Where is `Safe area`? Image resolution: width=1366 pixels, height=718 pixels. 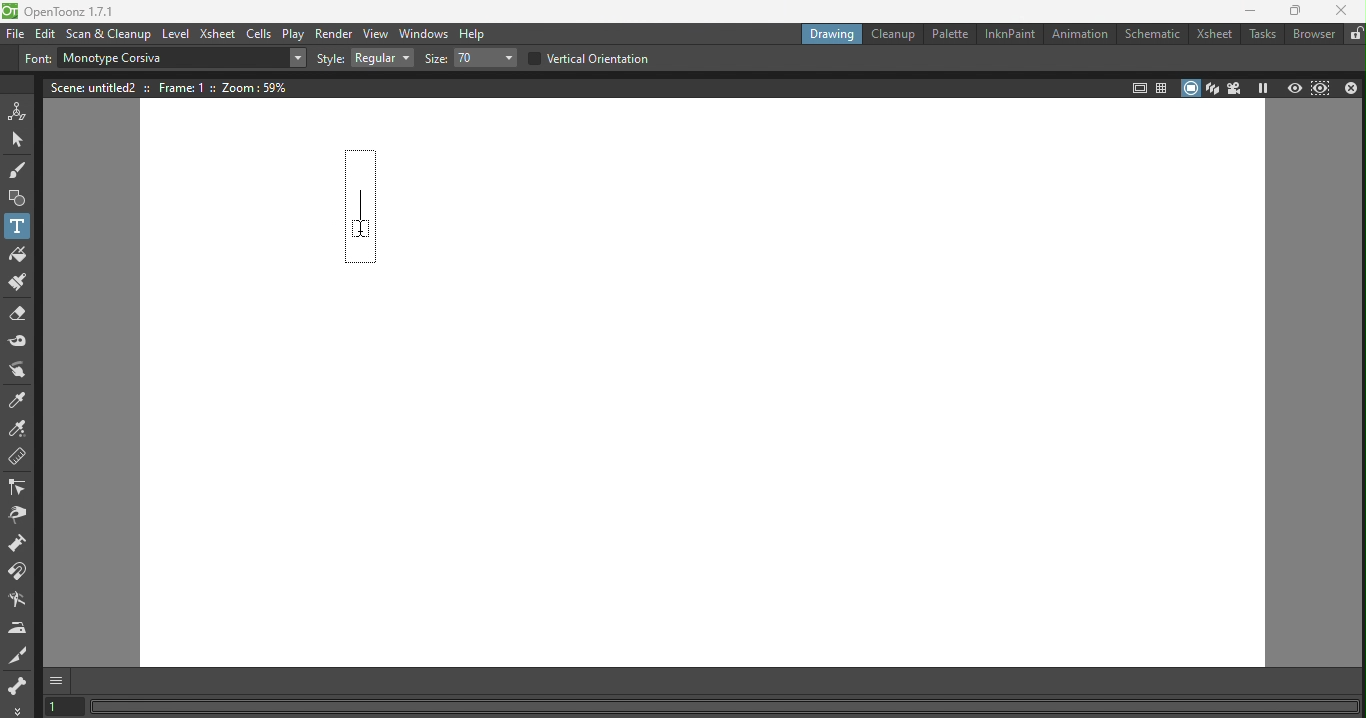 Safe area is located at coordinates (1136, 87).